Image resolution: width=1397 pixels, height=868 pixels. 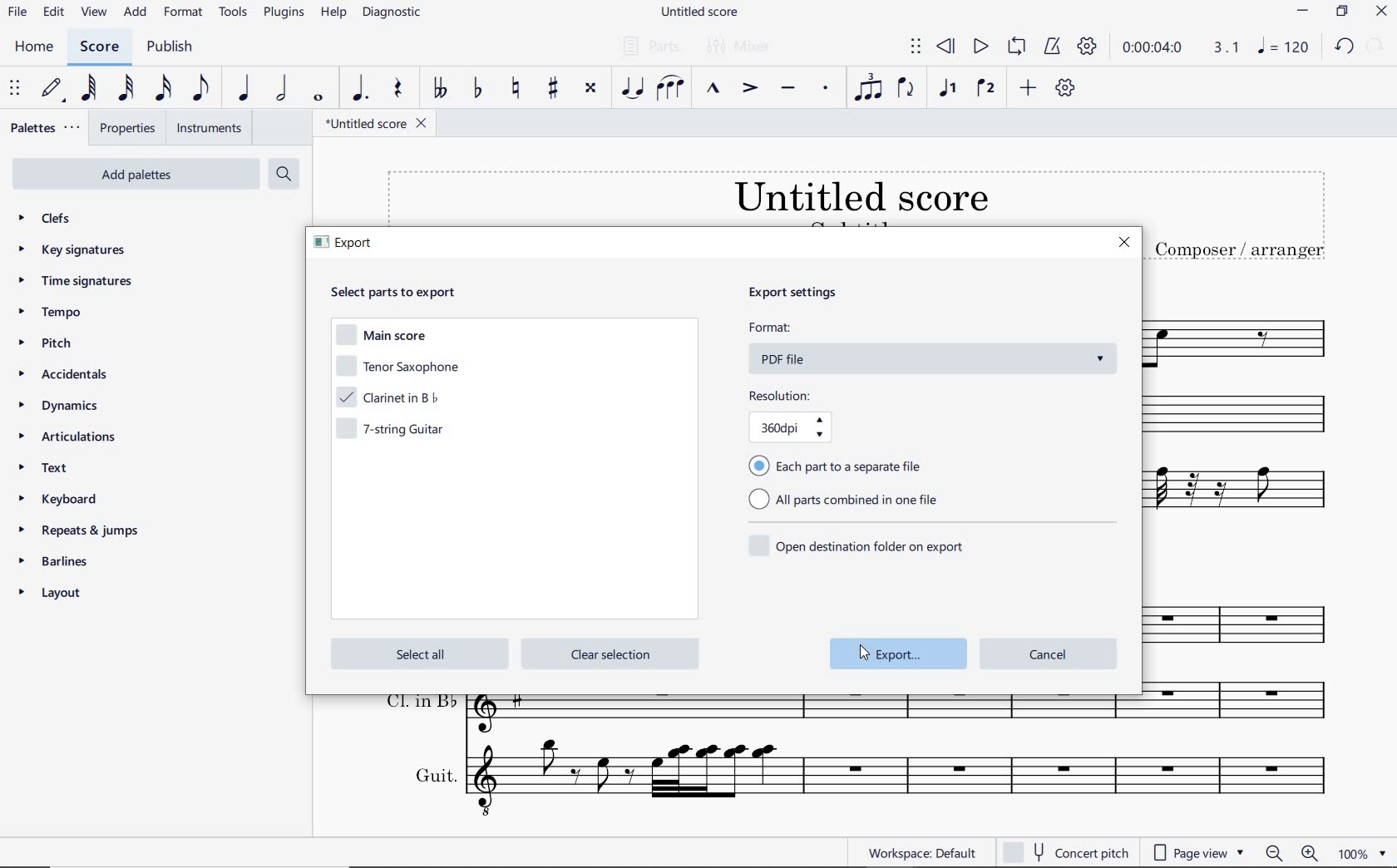 I want to click on TOGGLE DOUBLE-SHARP, so click(x=590, y=91).